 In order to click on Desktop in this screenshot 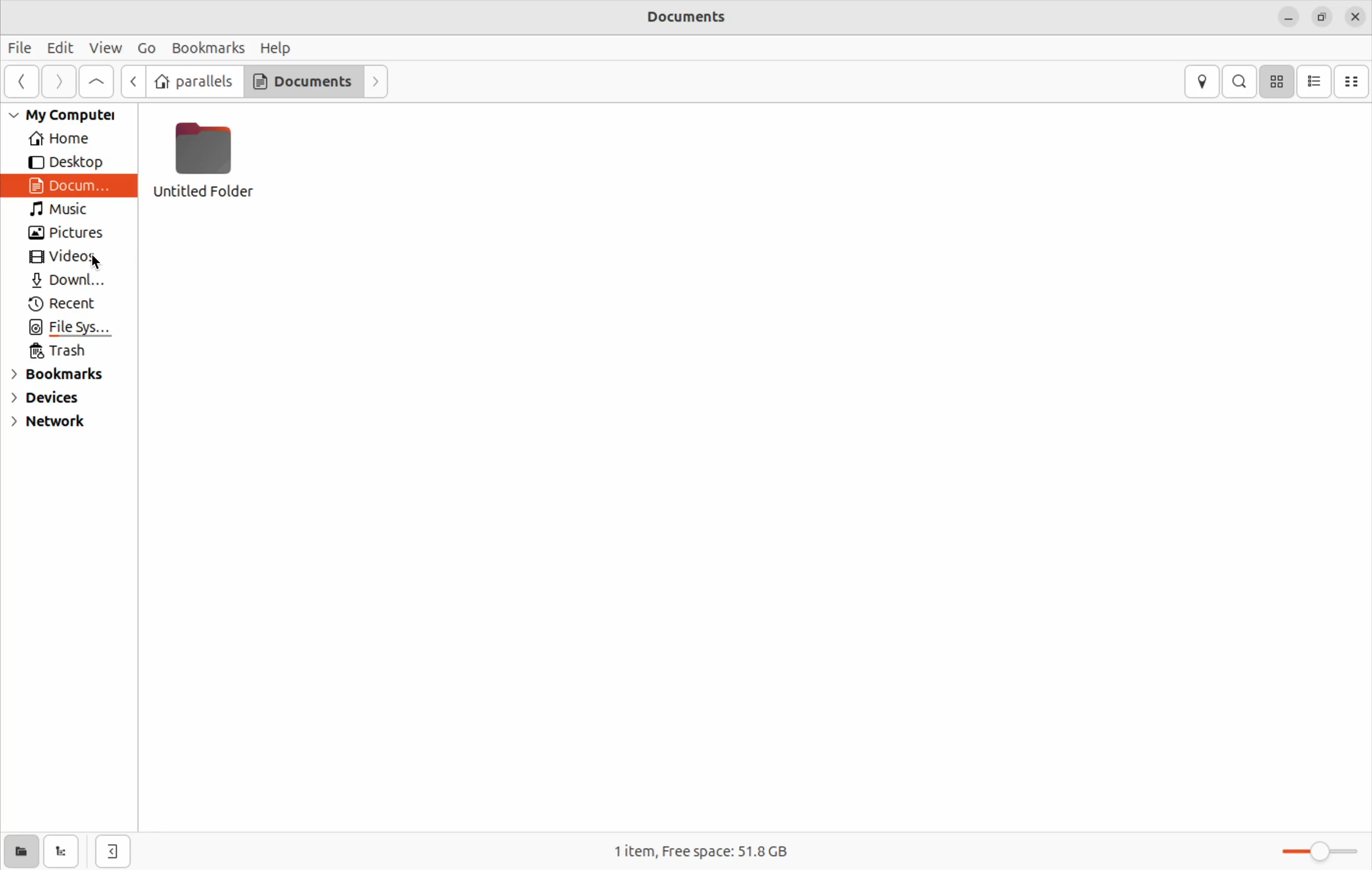, I will do `click(67, 164)`.